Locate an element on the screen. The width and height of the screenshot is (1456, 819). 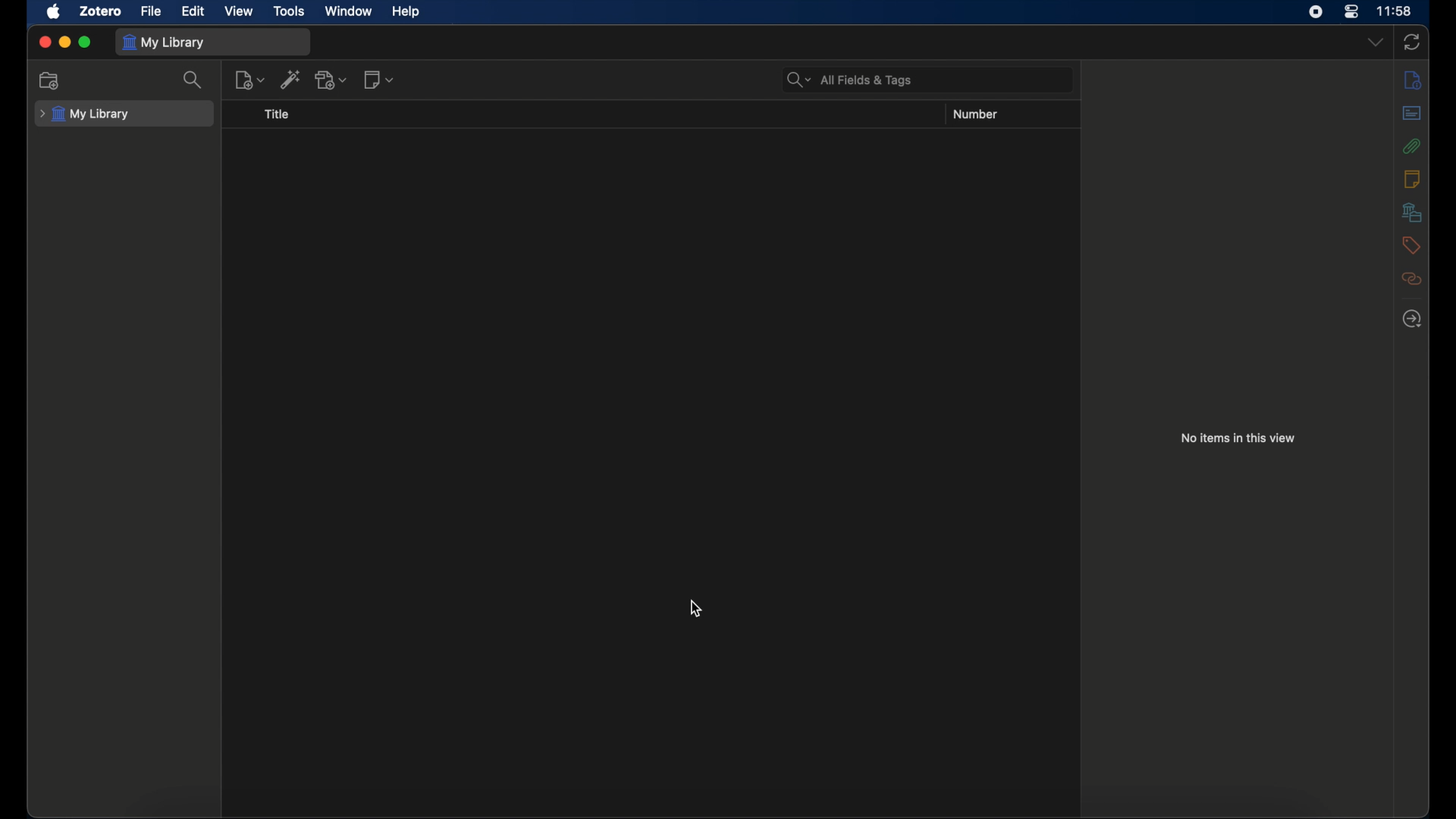
locate is located at coordinates (1411, 319).